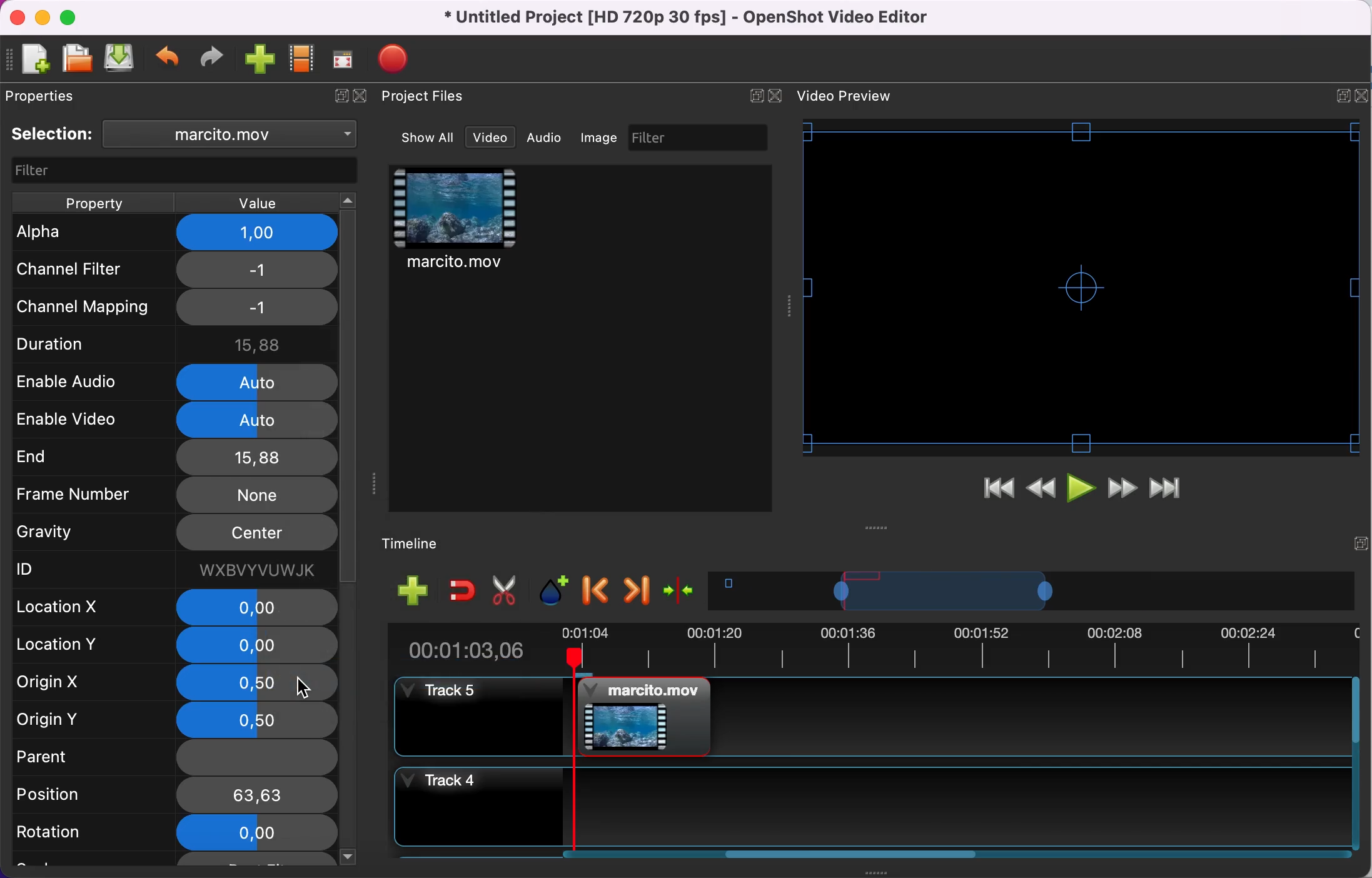 The image size is (1372, 878). Describe the element at coordinates (172, 759) in the screenshot. I see `parent none` at that location.